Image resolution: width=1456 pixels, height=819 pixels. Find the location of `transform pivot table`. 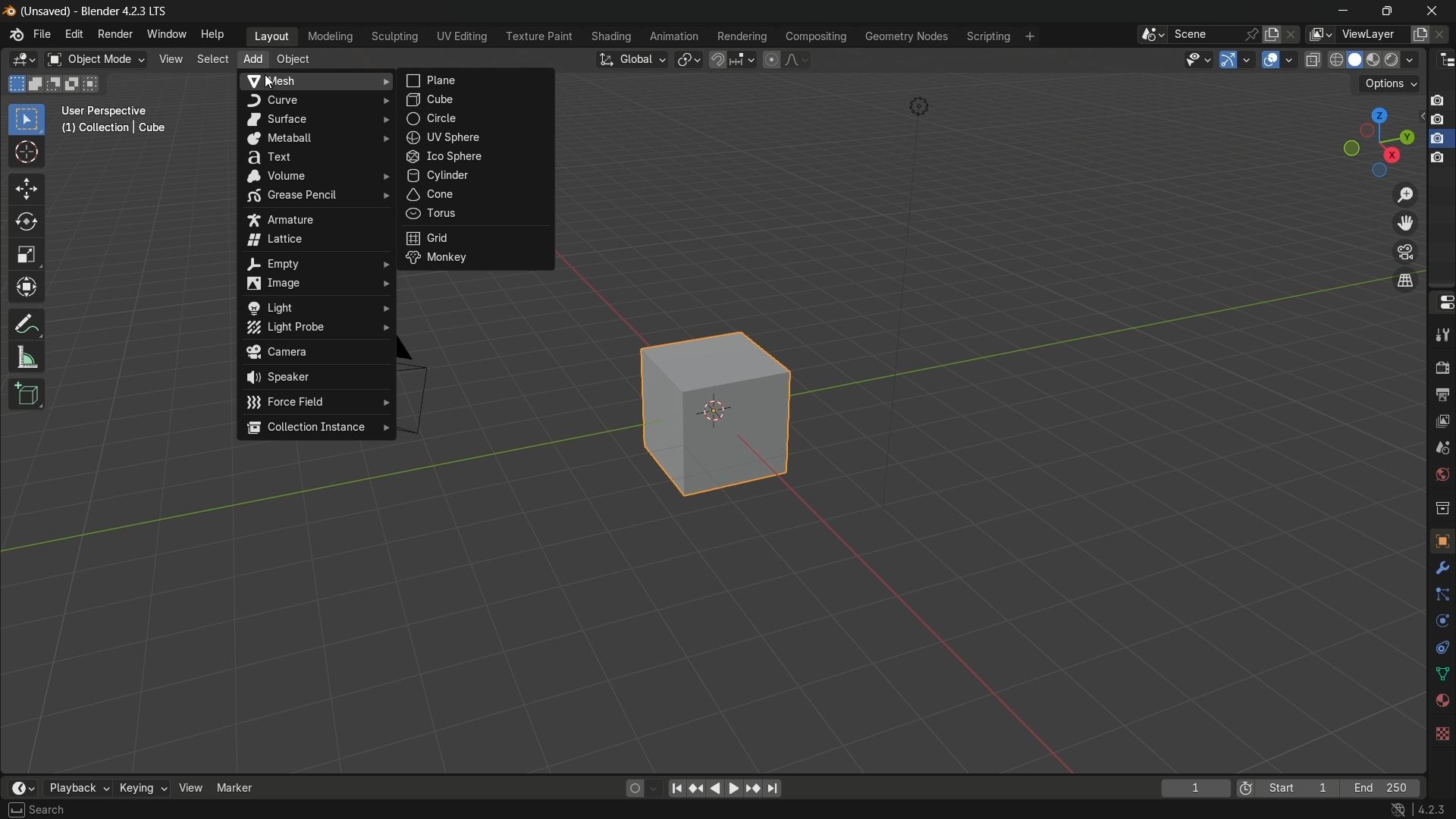

transform pivot table is located at coordinates (688, 58).